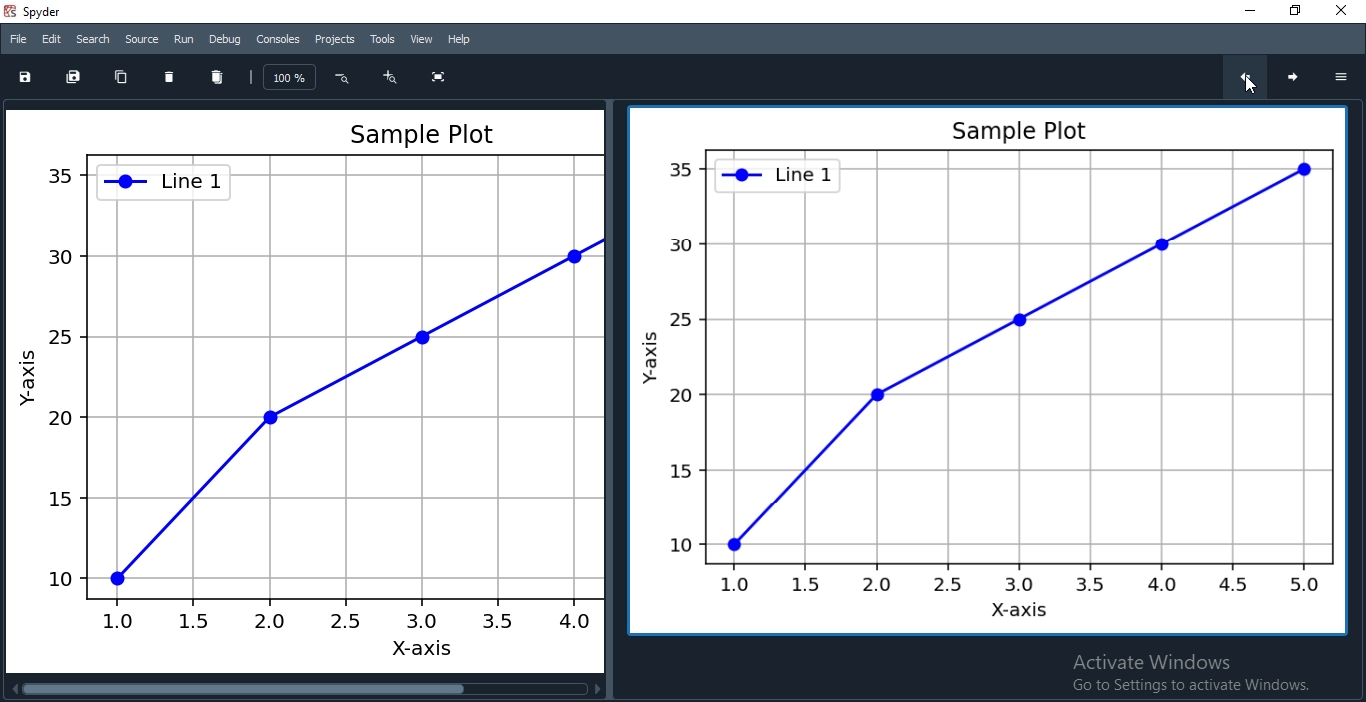 The width and height of the screenshot is (1366, 702). What do you see at coordinates (121, 76) in the screenshot?
I see `copy chart` at bounding box center [121, 76].